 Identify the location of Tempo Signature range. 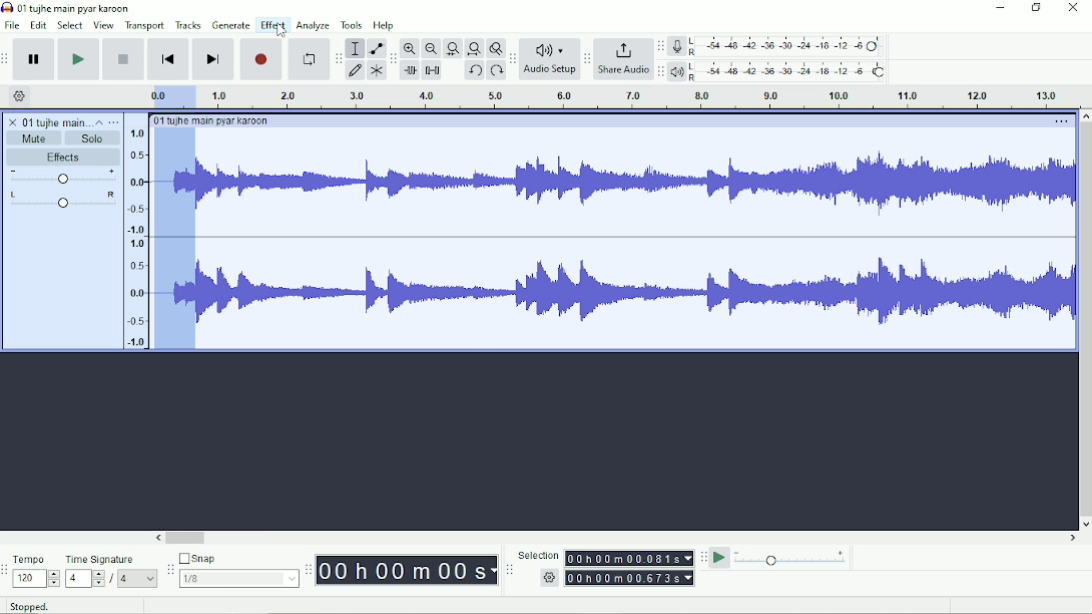
(84, 578).